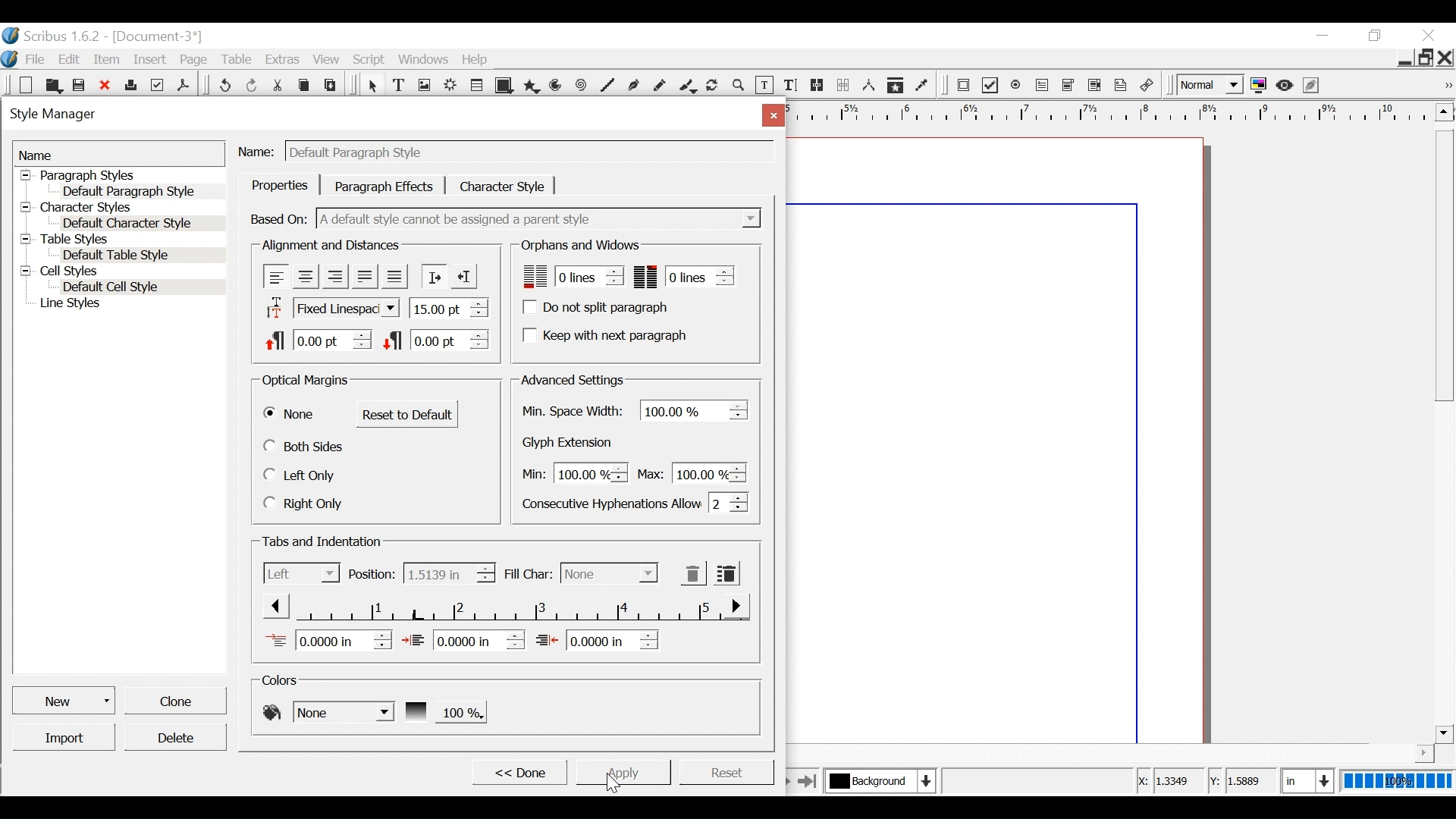  Describe the element at coordinates (532, 86) in the screenshot. I see `Polygon ` at that location.